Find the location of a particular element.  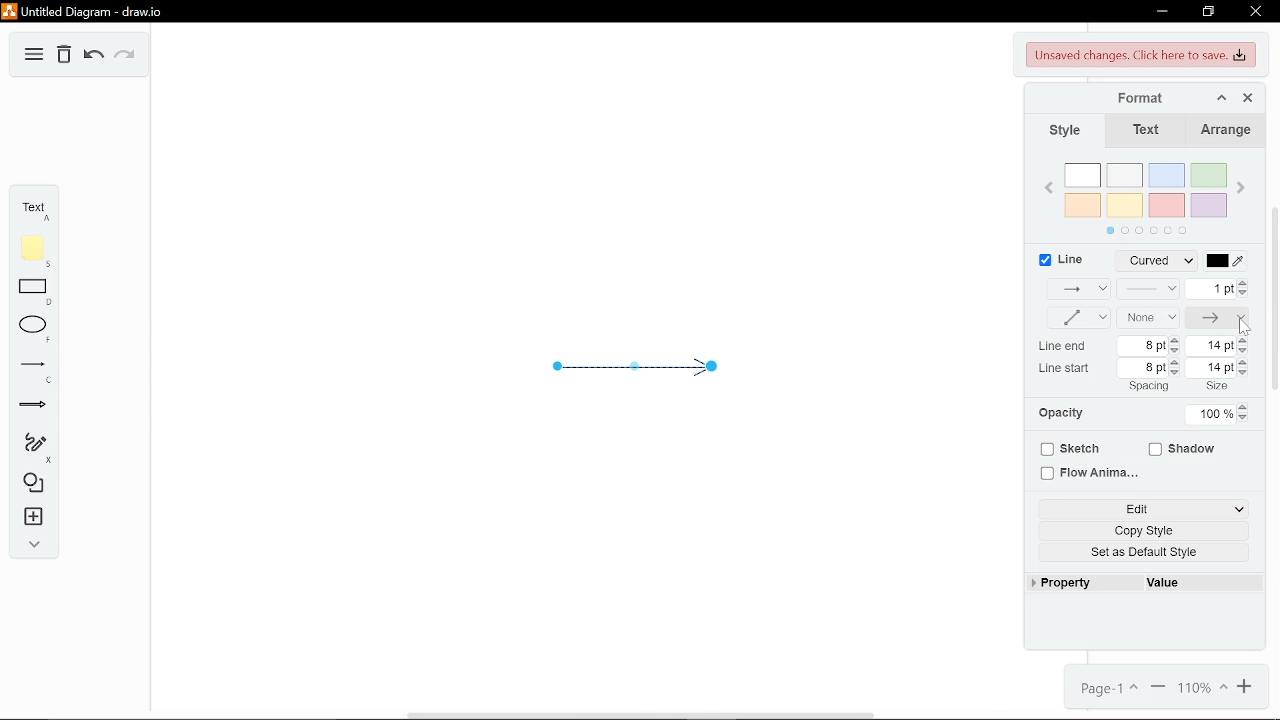

Freehand is located at coordinates (35, 446).